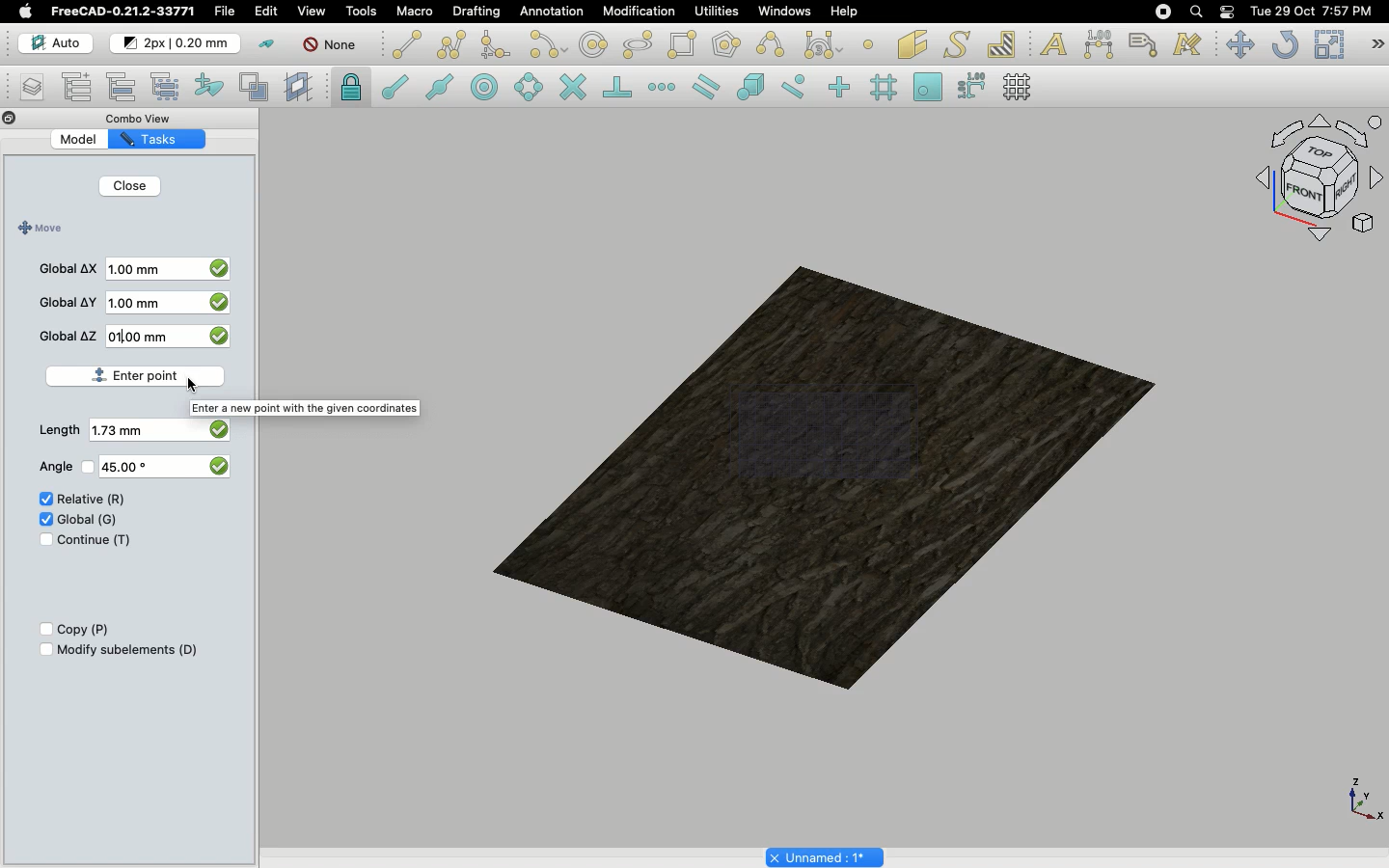  What do you see at coordinates (225, 12) in the screenshot?
I see `File` at bounding box center [225, 12].